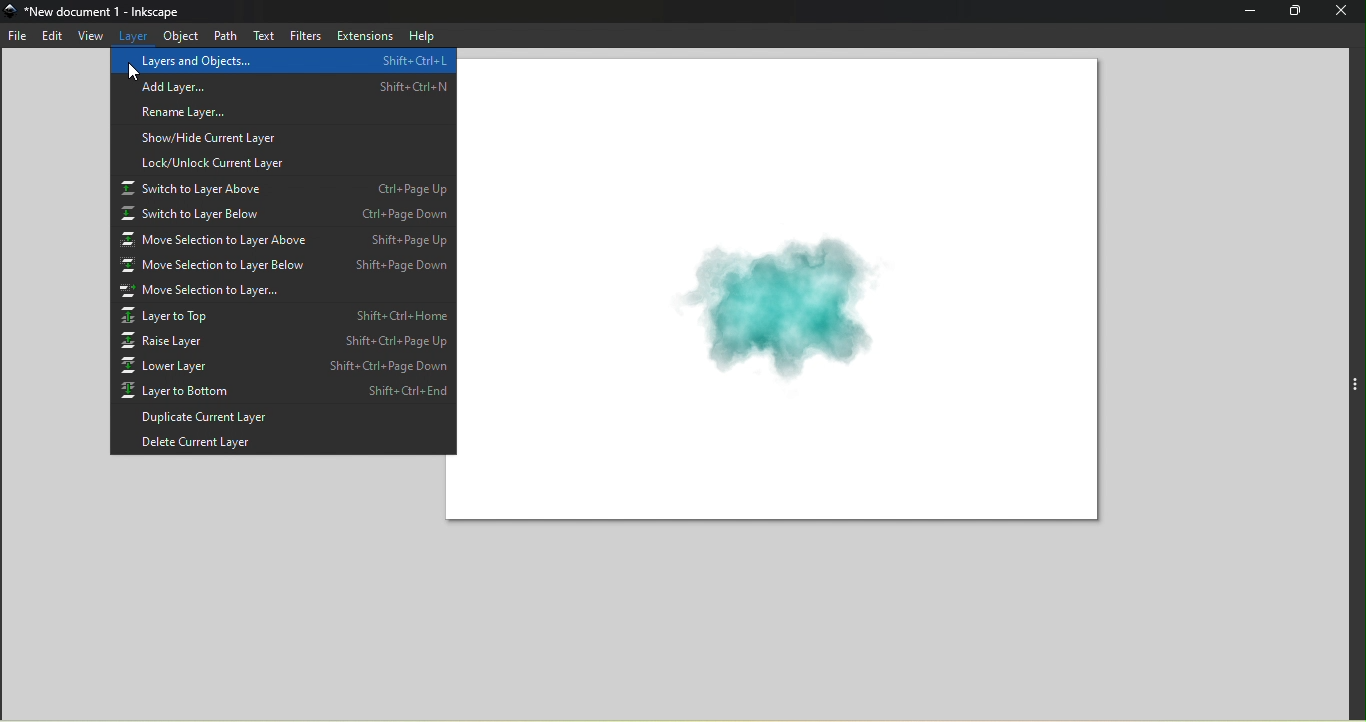 Image resolution: width=1366 pixels, height=722 pixels. What do you see at coordinates (281, 84) in the screenshot?
I see `Add layer` at bounding box center [281, 84].